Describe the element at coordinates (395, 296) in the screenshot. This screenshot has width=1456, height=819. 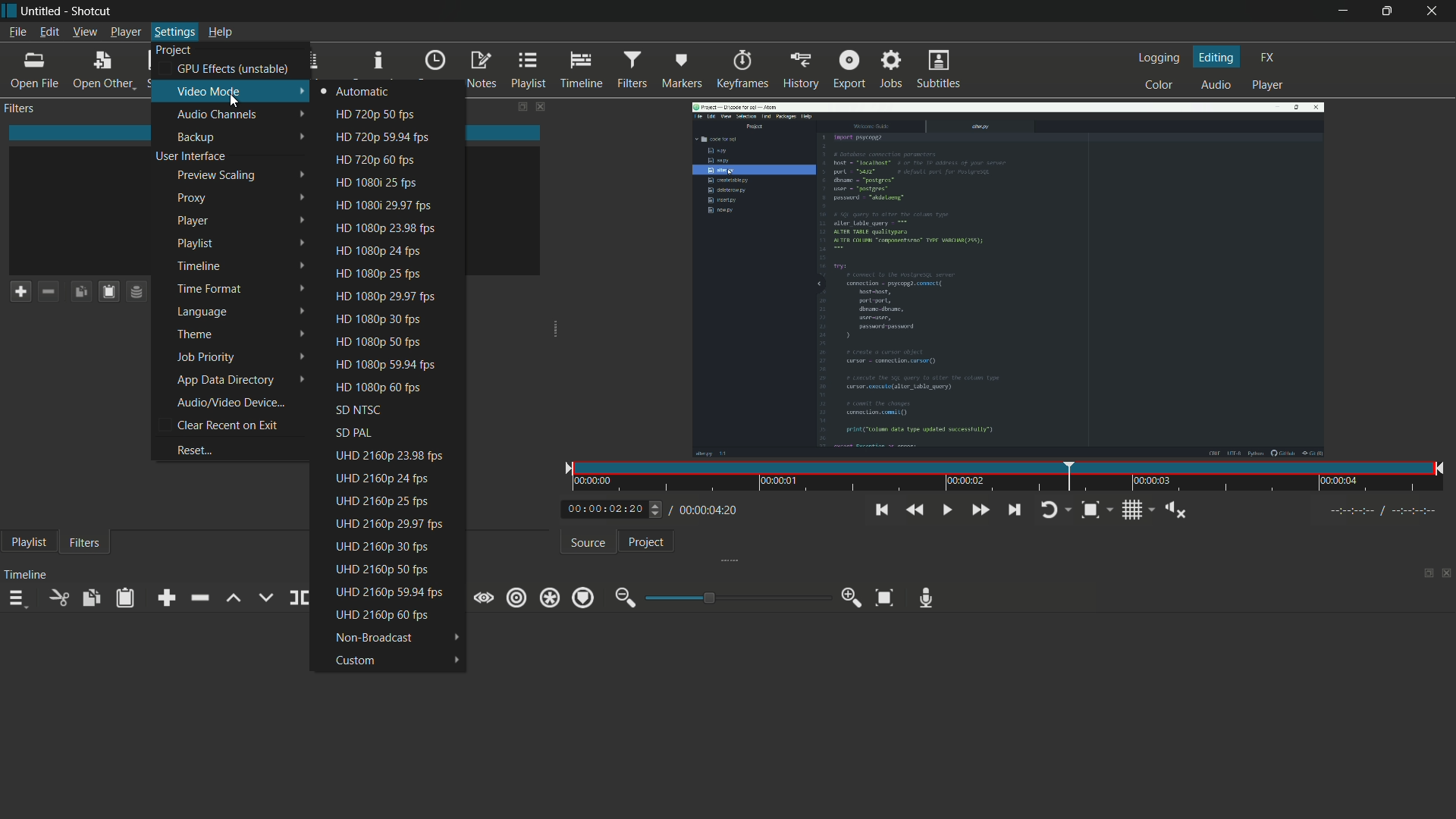
I see `hd 1080p 29.97 fps` at that location.